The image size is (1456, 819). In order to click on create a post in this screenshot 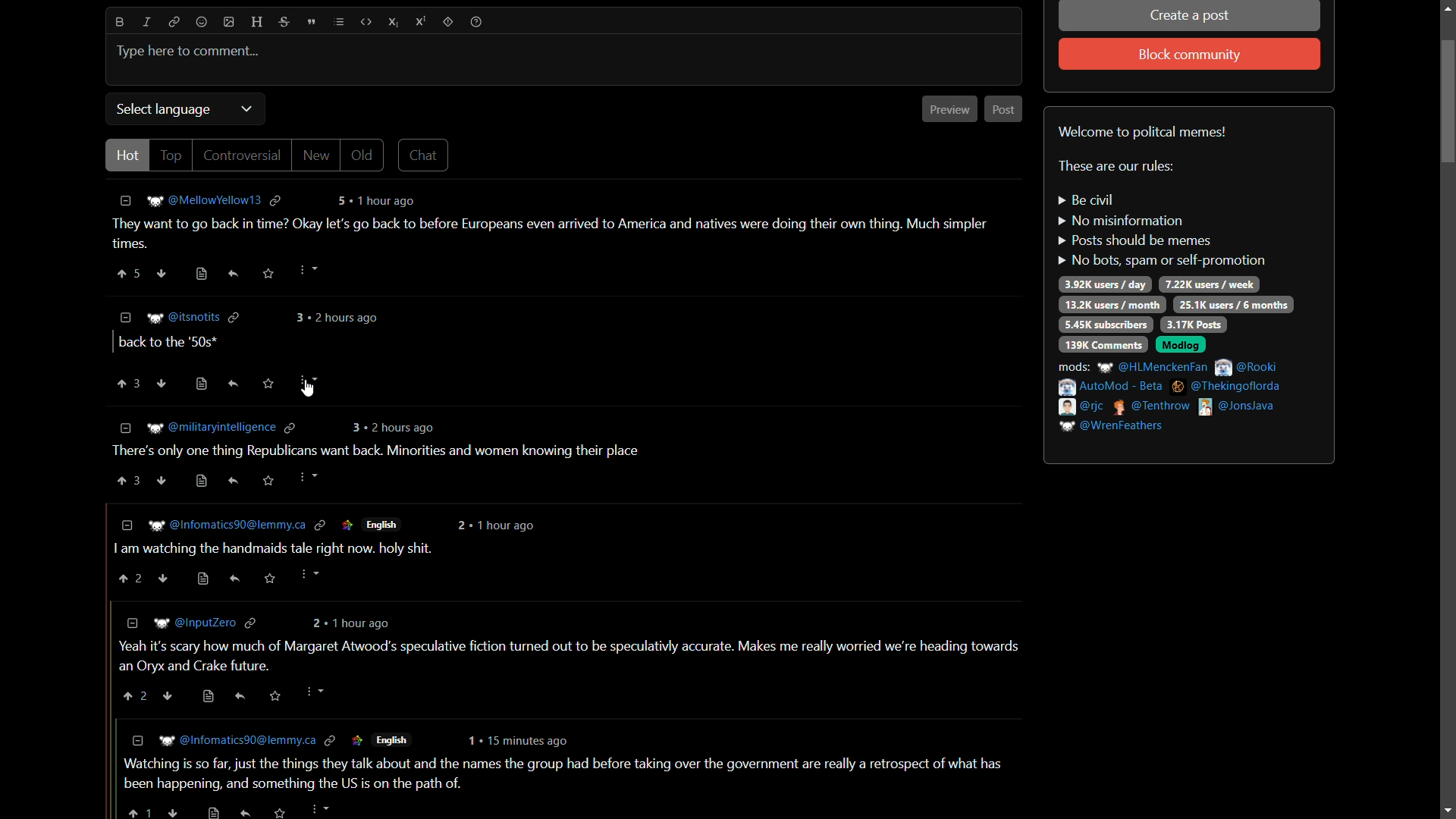, I will do `click(1191, 17)`.